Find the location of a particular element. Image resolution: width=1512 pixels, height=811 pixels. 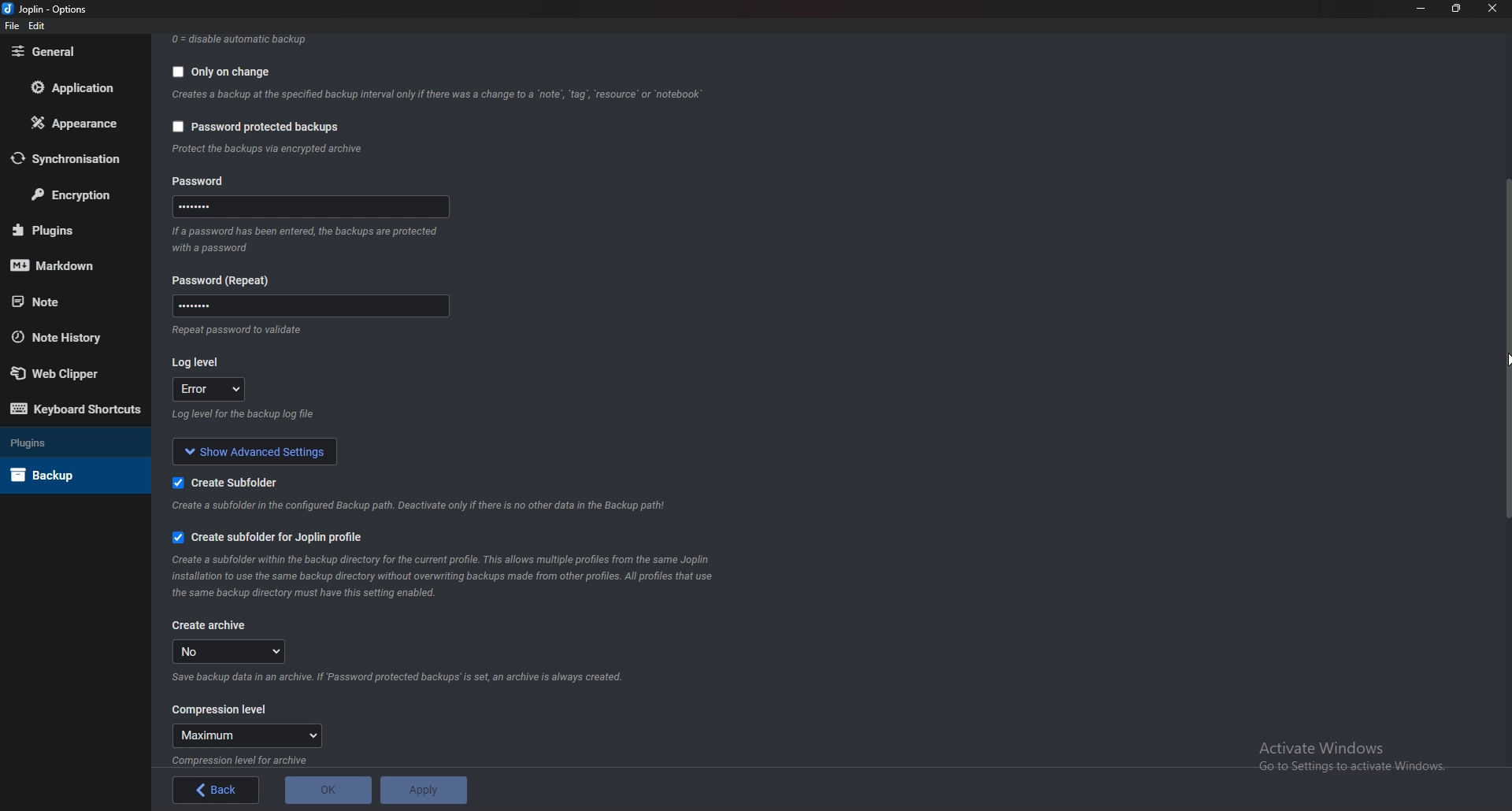

file is located at coordinates (13, 26).